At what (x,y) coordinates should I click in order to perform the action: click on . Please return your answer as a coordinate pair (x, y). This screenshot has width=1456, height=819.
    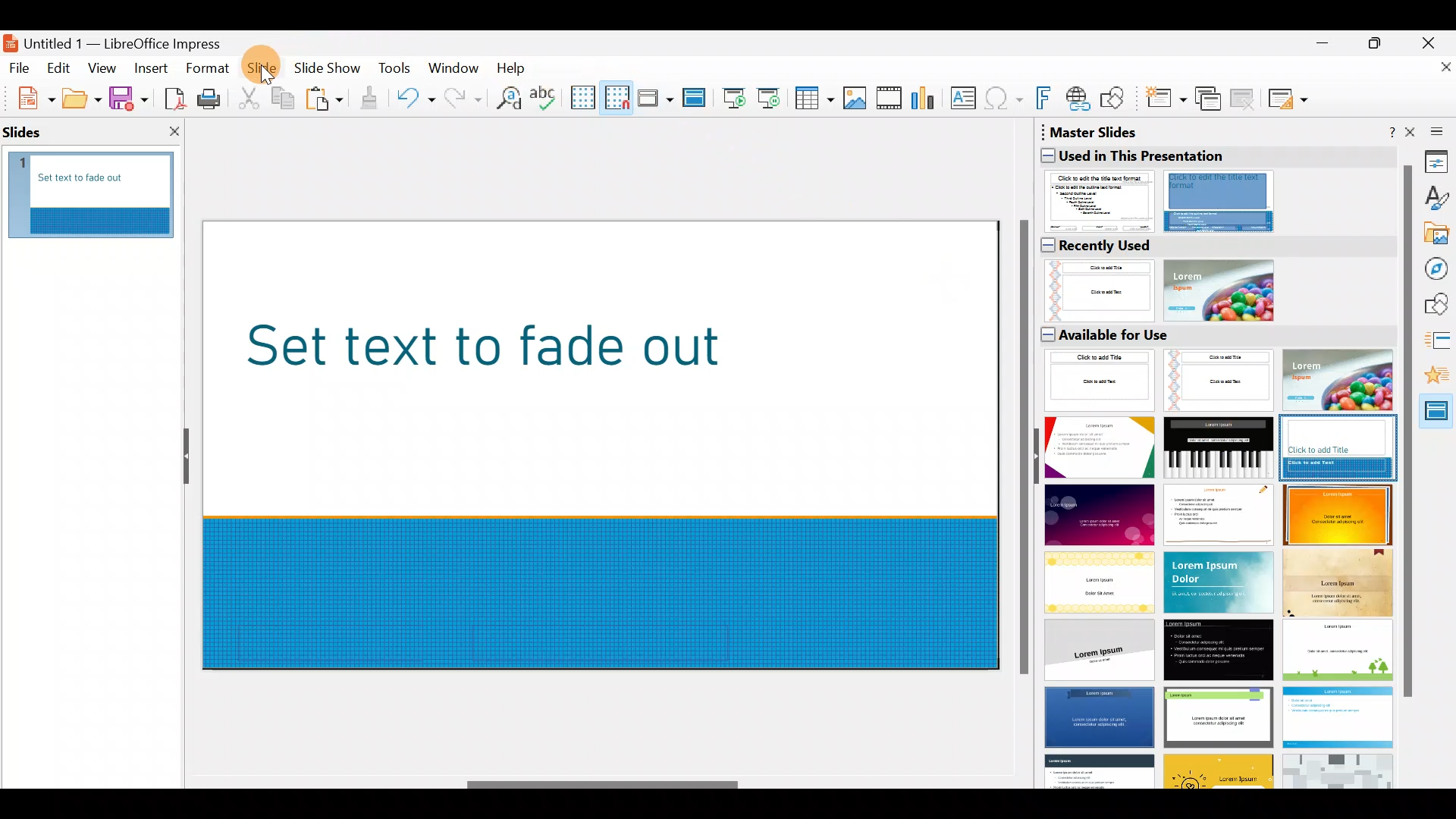
    Looking at the image, I should click on (174, 457).